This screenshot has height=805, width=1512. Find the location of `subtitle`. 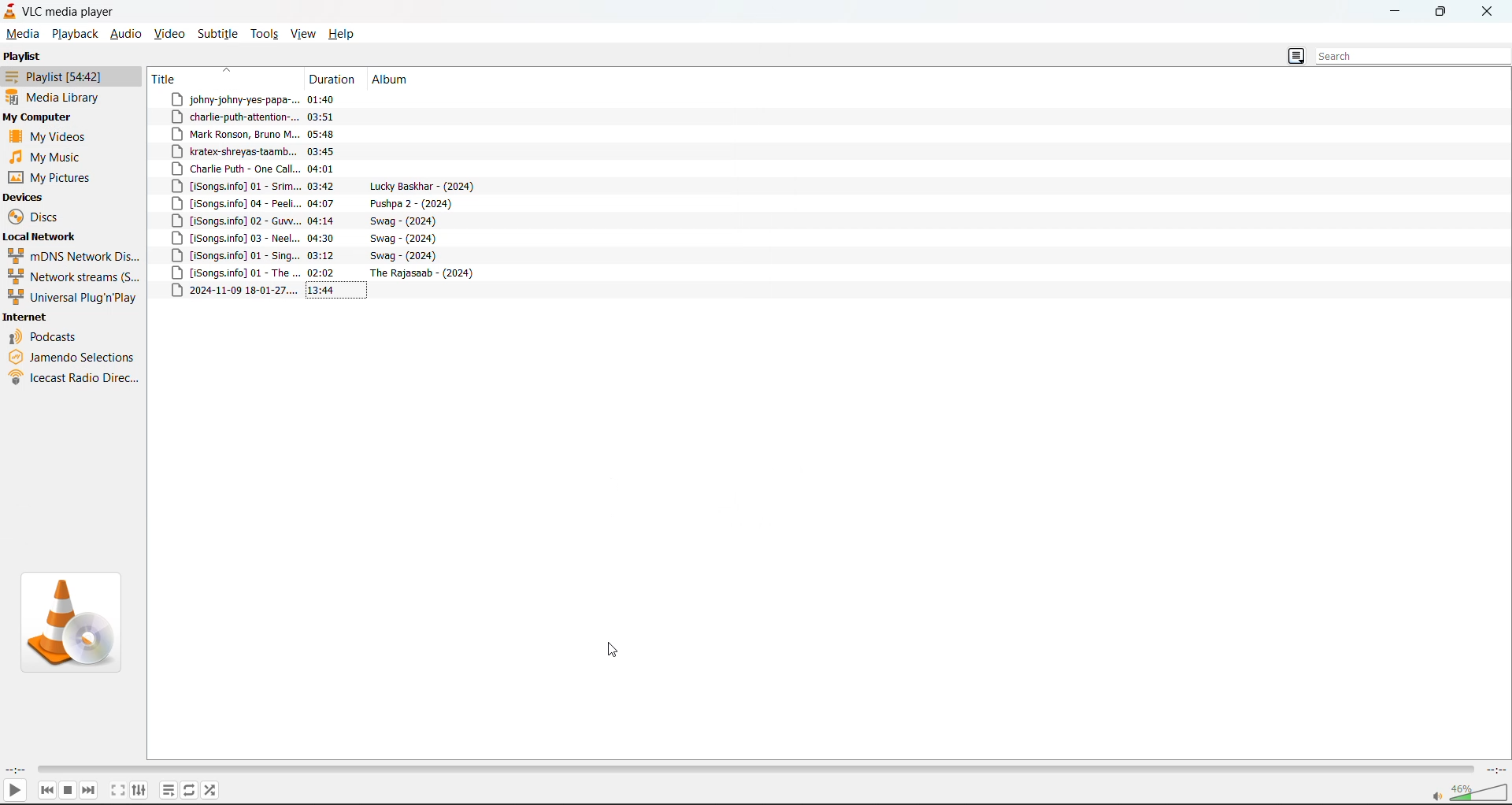

subtitle is located at coordinates (220, 34).